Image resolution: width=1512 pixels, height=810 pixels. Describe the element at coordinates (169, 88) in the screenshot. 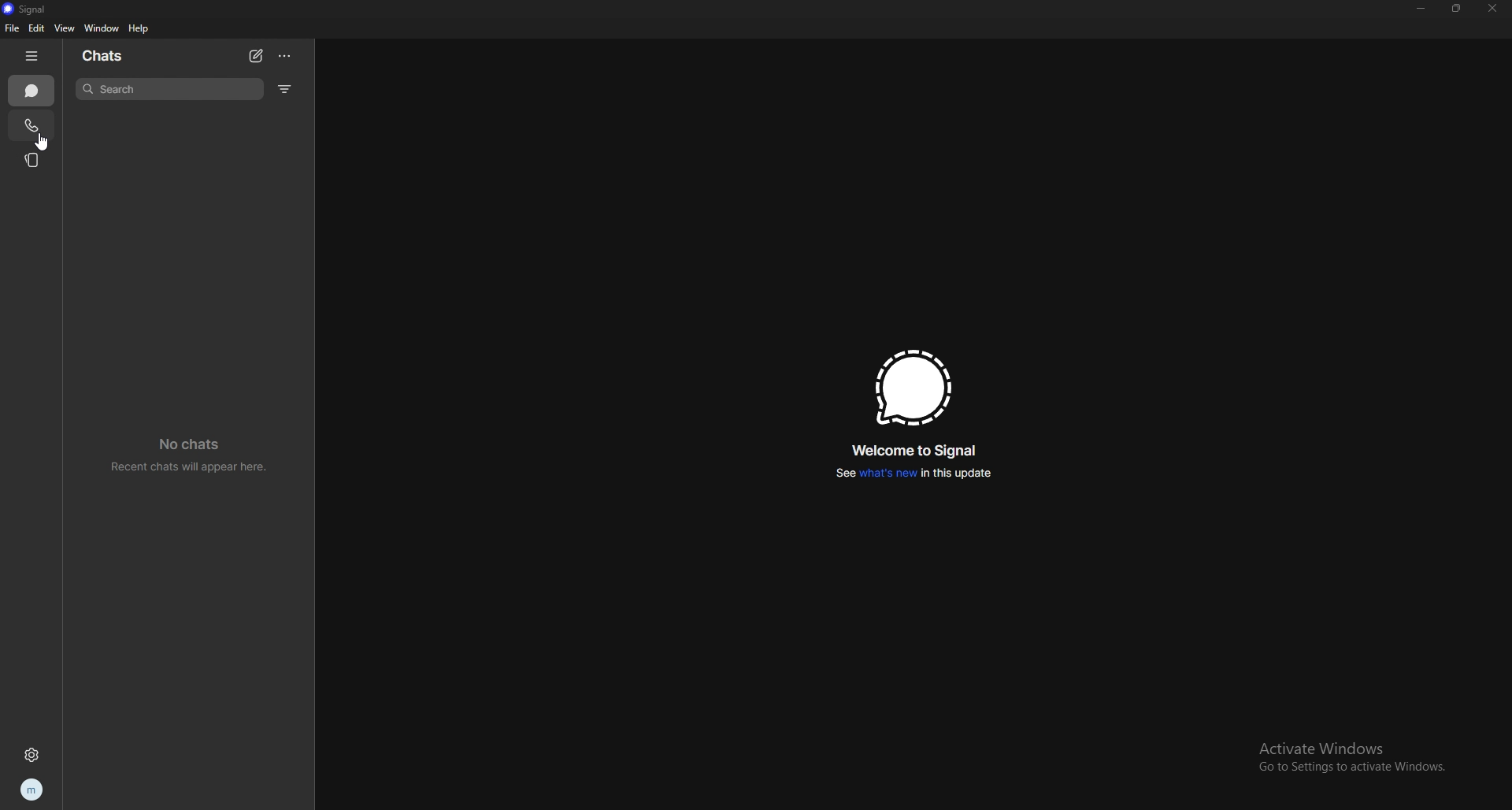

I see `search` at that location.